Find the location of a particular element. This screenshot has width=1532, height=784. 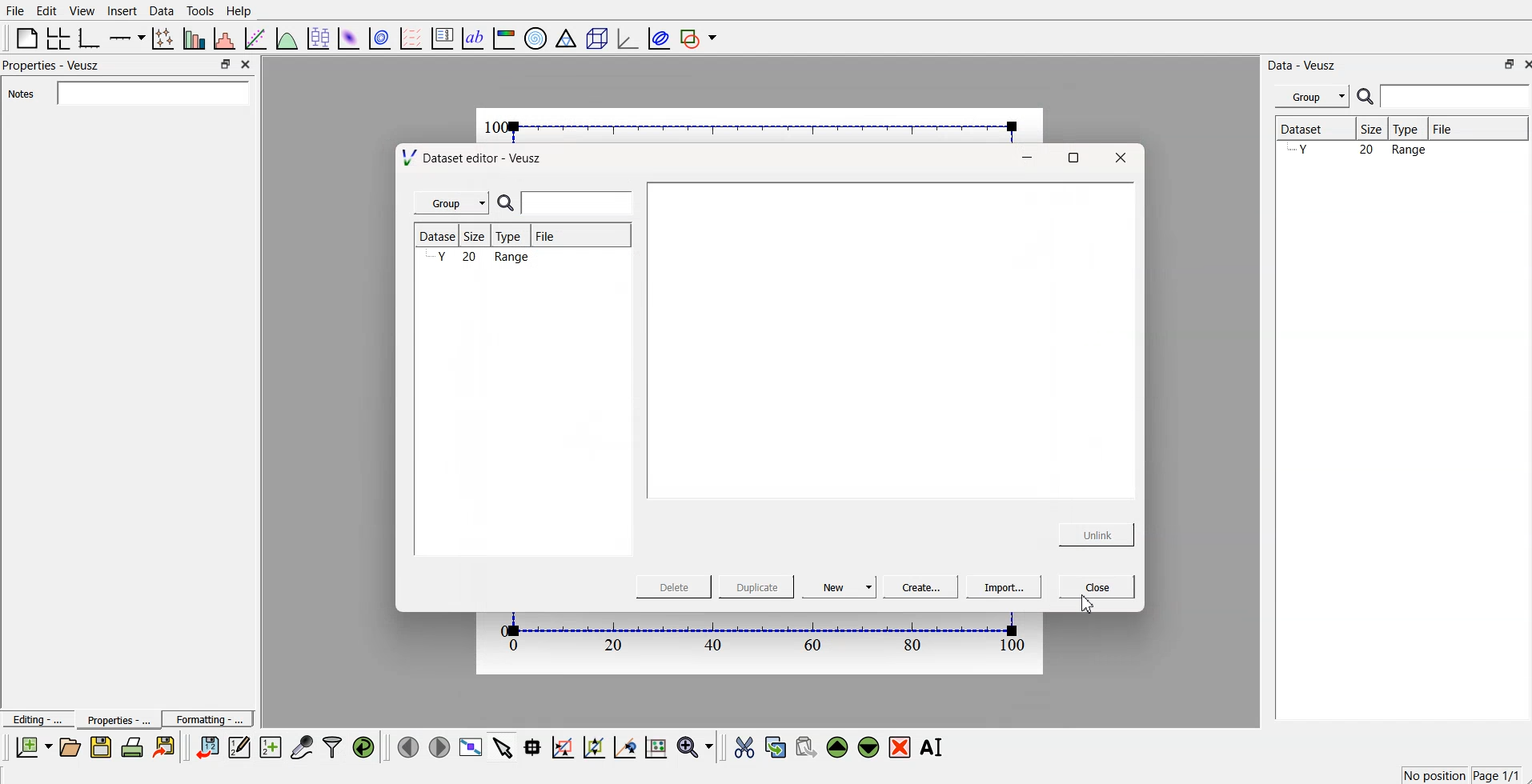

create new dataset is located at coordinates (270, 745).